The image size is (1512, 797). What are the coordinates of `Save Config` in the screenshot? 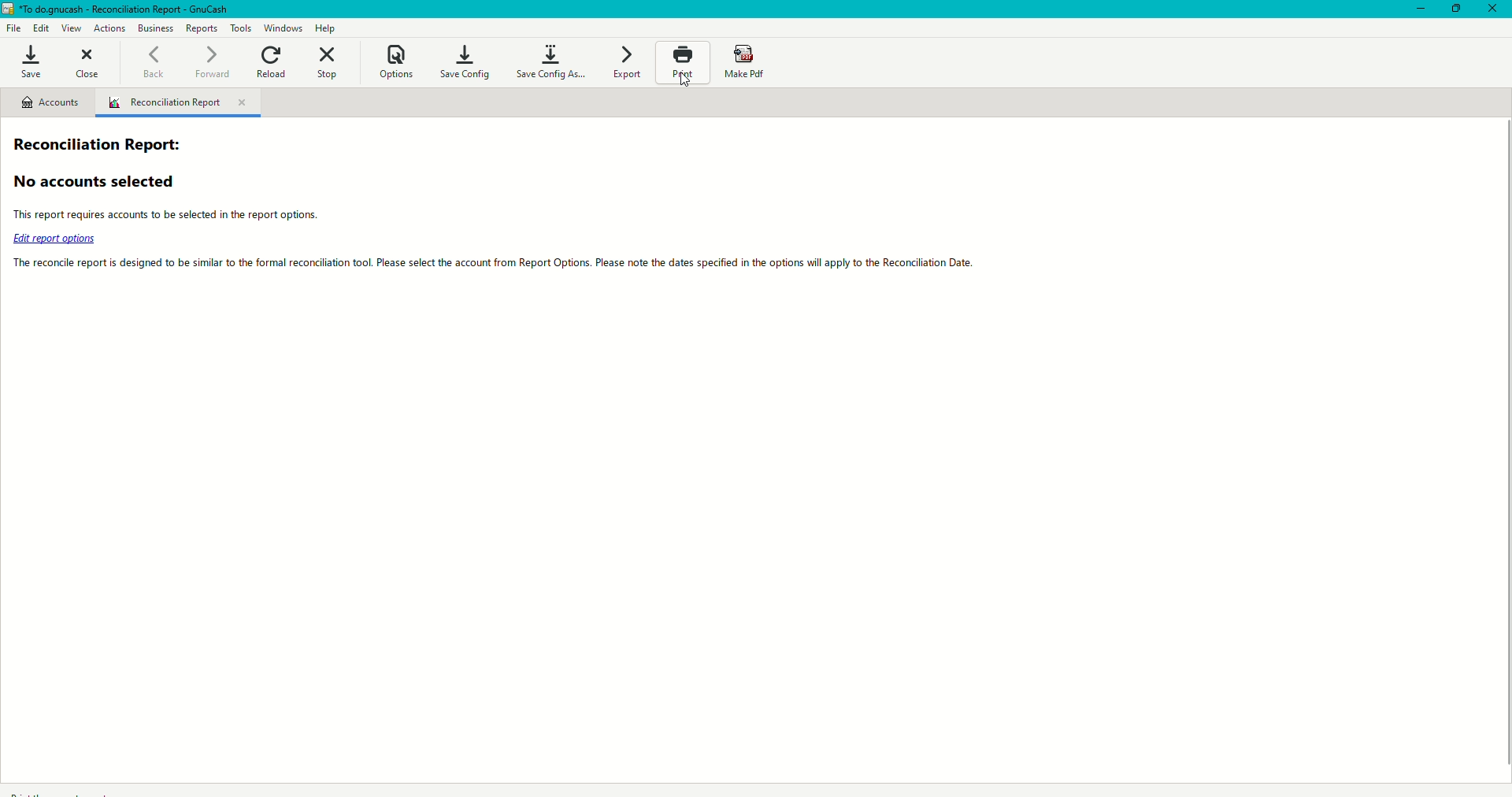 It's located at (463, 57).